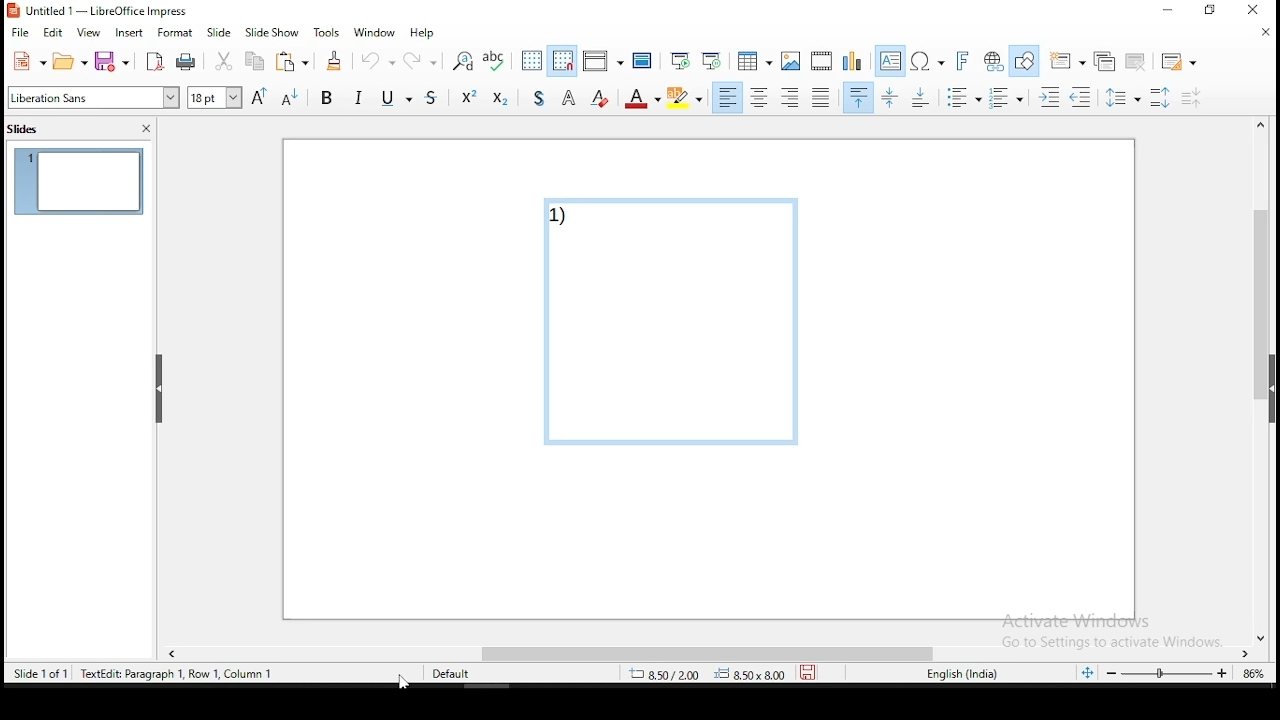 This screenshot has width=1280, height=720. Describe the element at coordinates (1024, 60) in the screenshot. I see `show draw functions` at that location.